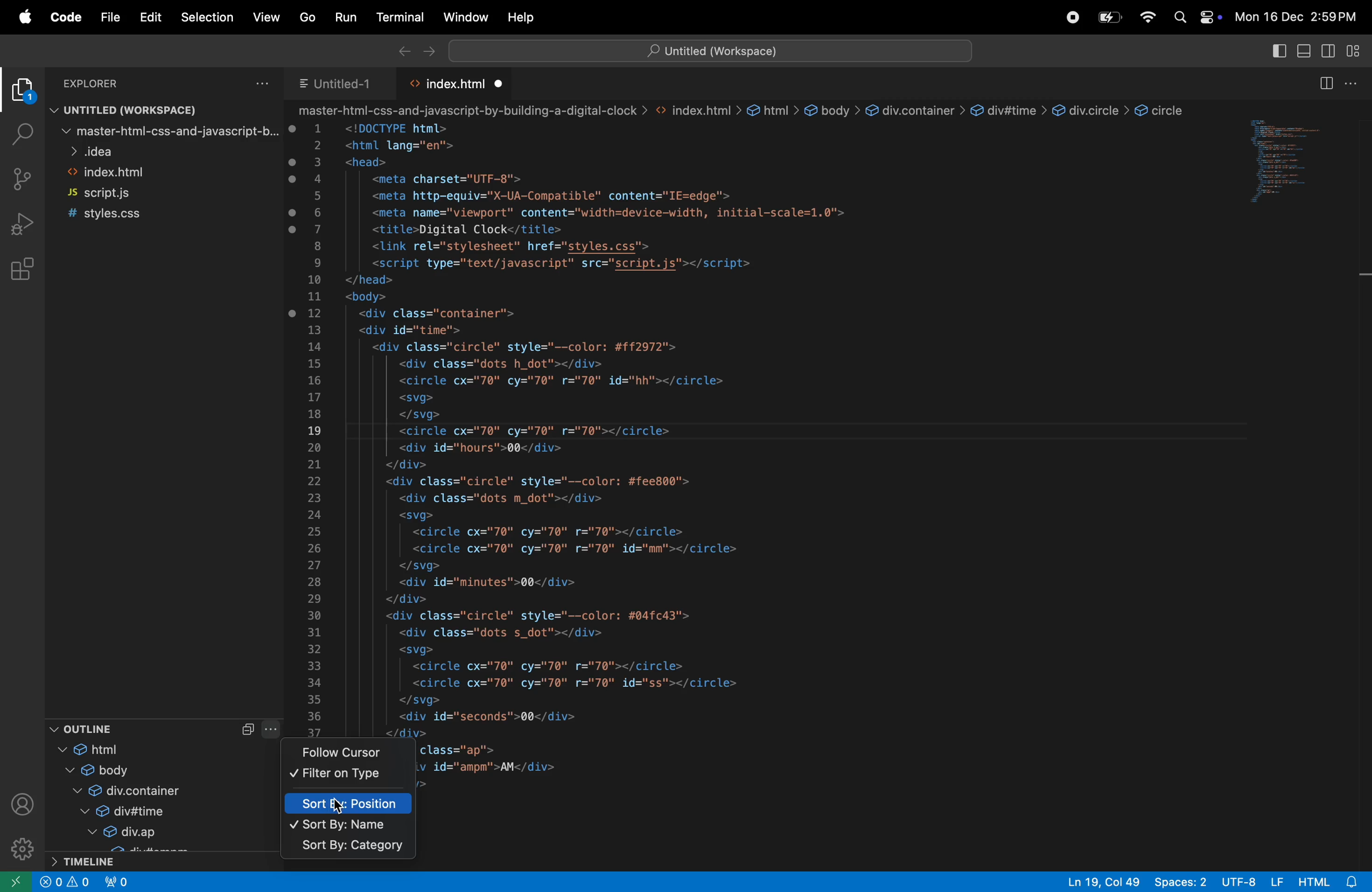  Describe the element at coordinates (20, 269) in the screenshot. I see `extensions` at that location.